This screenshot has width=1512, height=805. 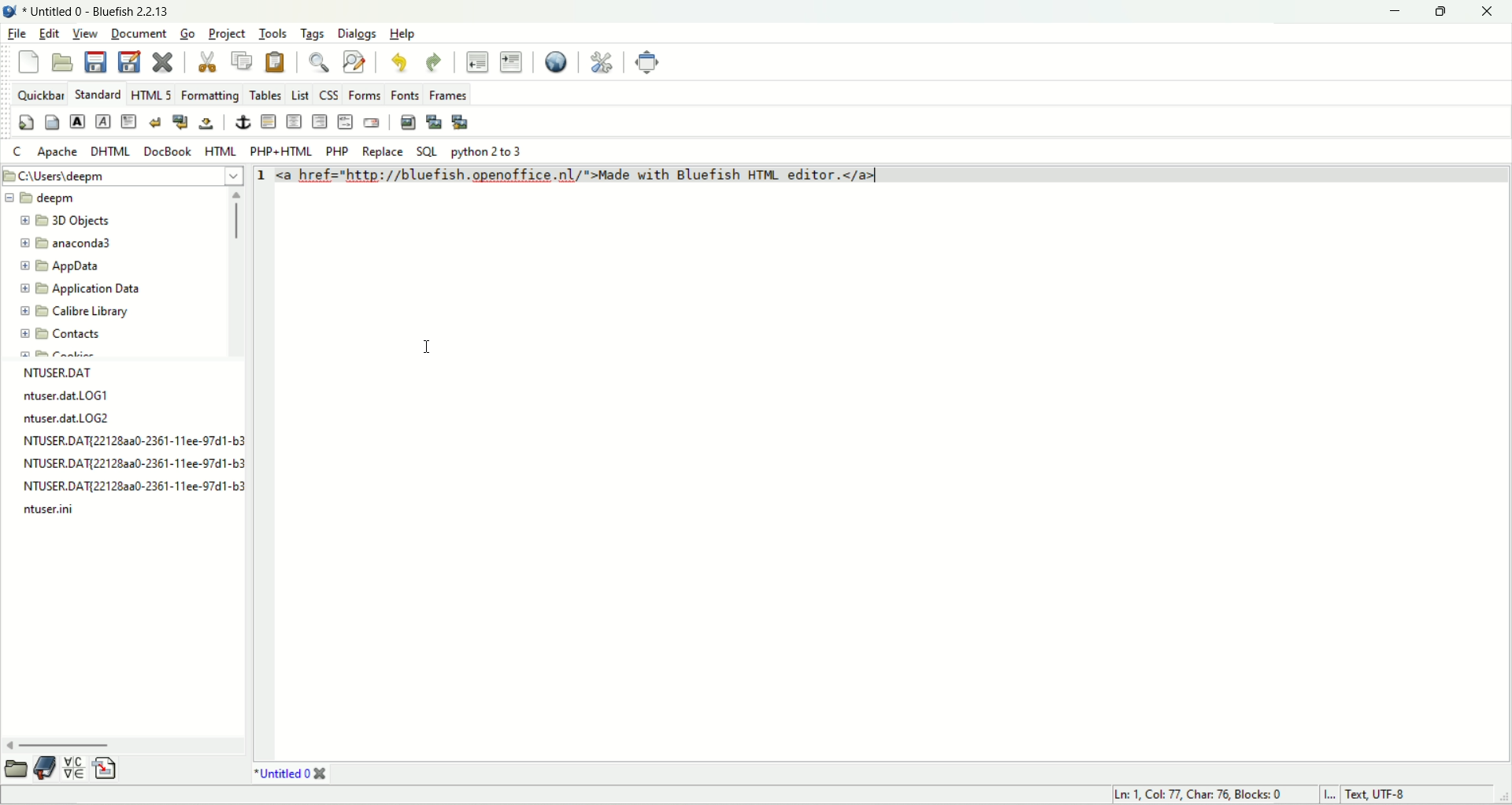 What do you see at coordinates (97, 95) in the screenshot?
I see `standard` at bounding box center [97, 95].